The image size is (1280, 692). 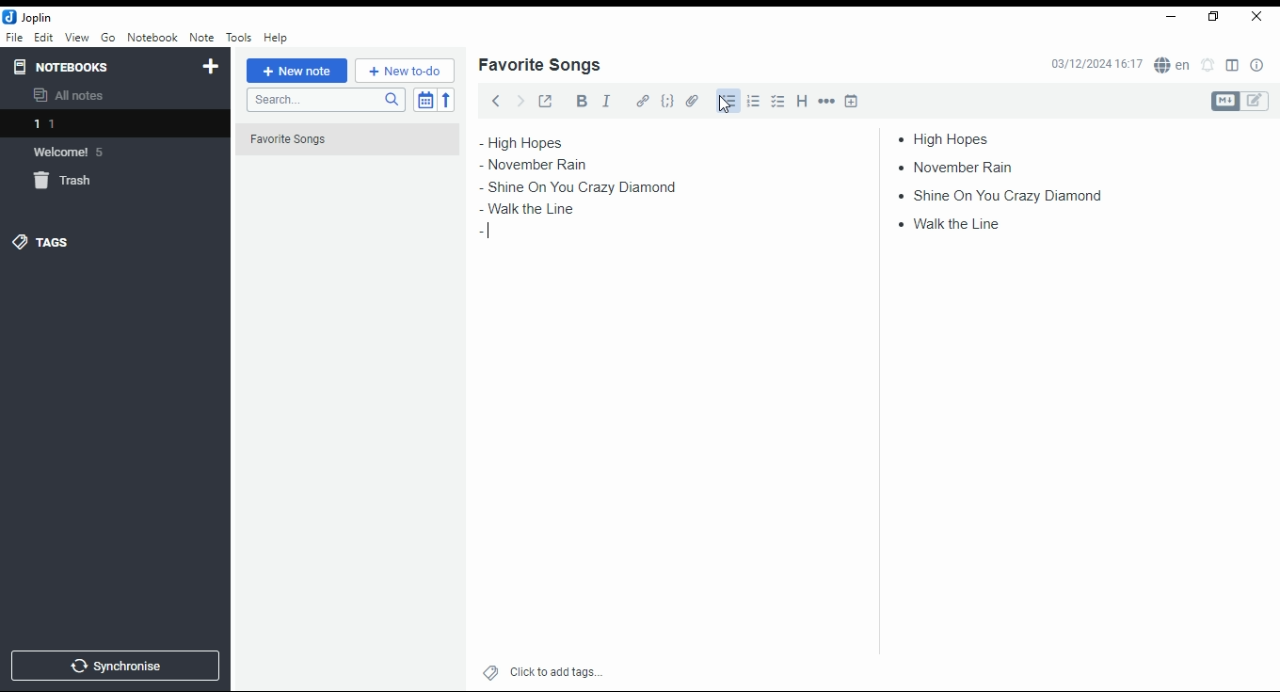 What do you see at coordinates (405, 71) in the screenshot?
I see `New to-do` at bounding box center [405, 71].